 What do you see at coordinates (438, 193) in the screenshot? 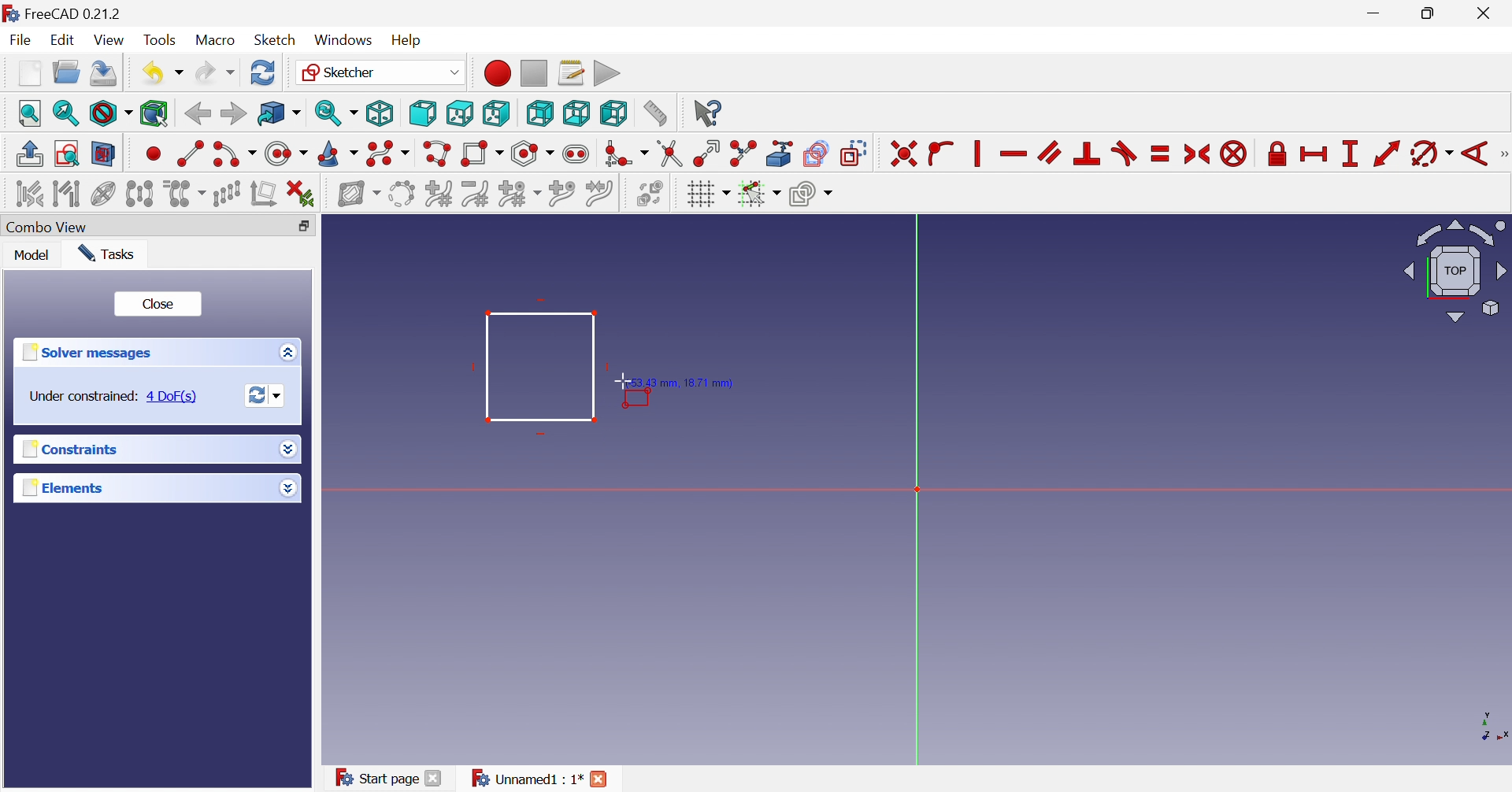
I see `Increase B-spline degree` at bounding box center [438, 193].